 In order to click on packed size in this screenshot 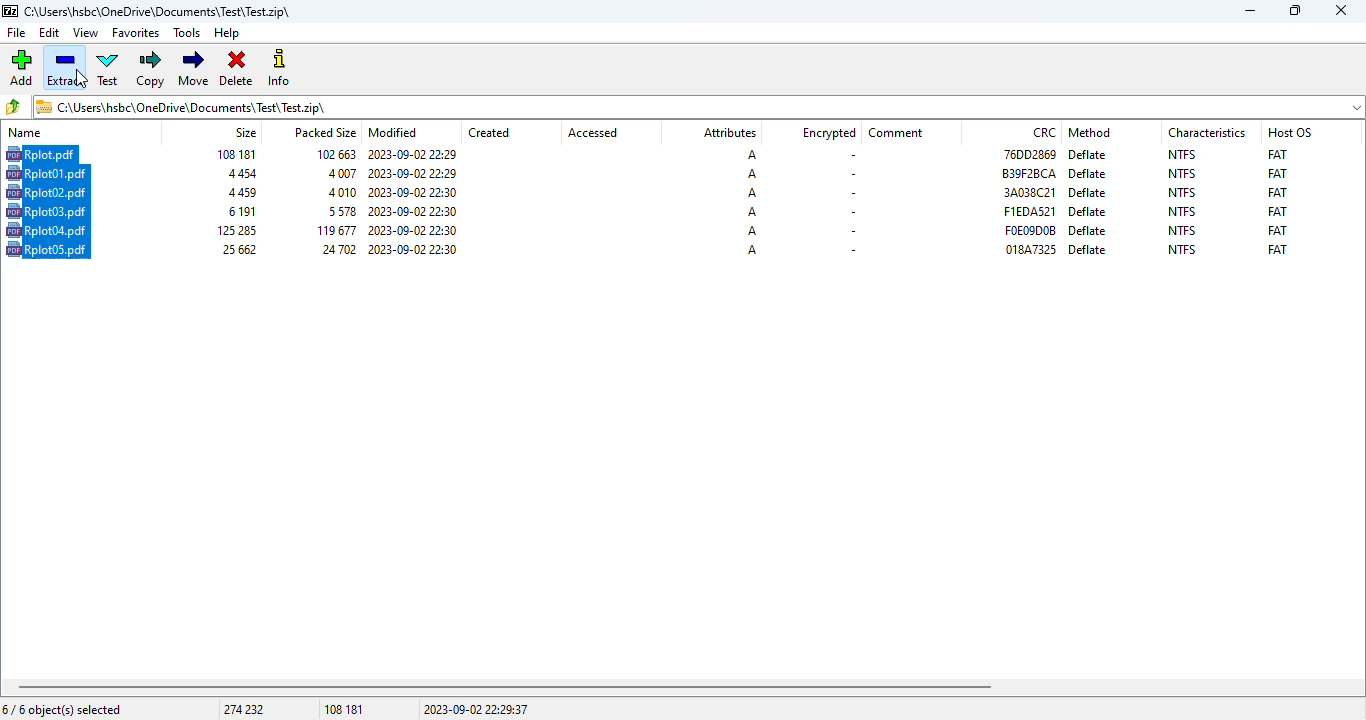, I will do `click(338, 211)`.